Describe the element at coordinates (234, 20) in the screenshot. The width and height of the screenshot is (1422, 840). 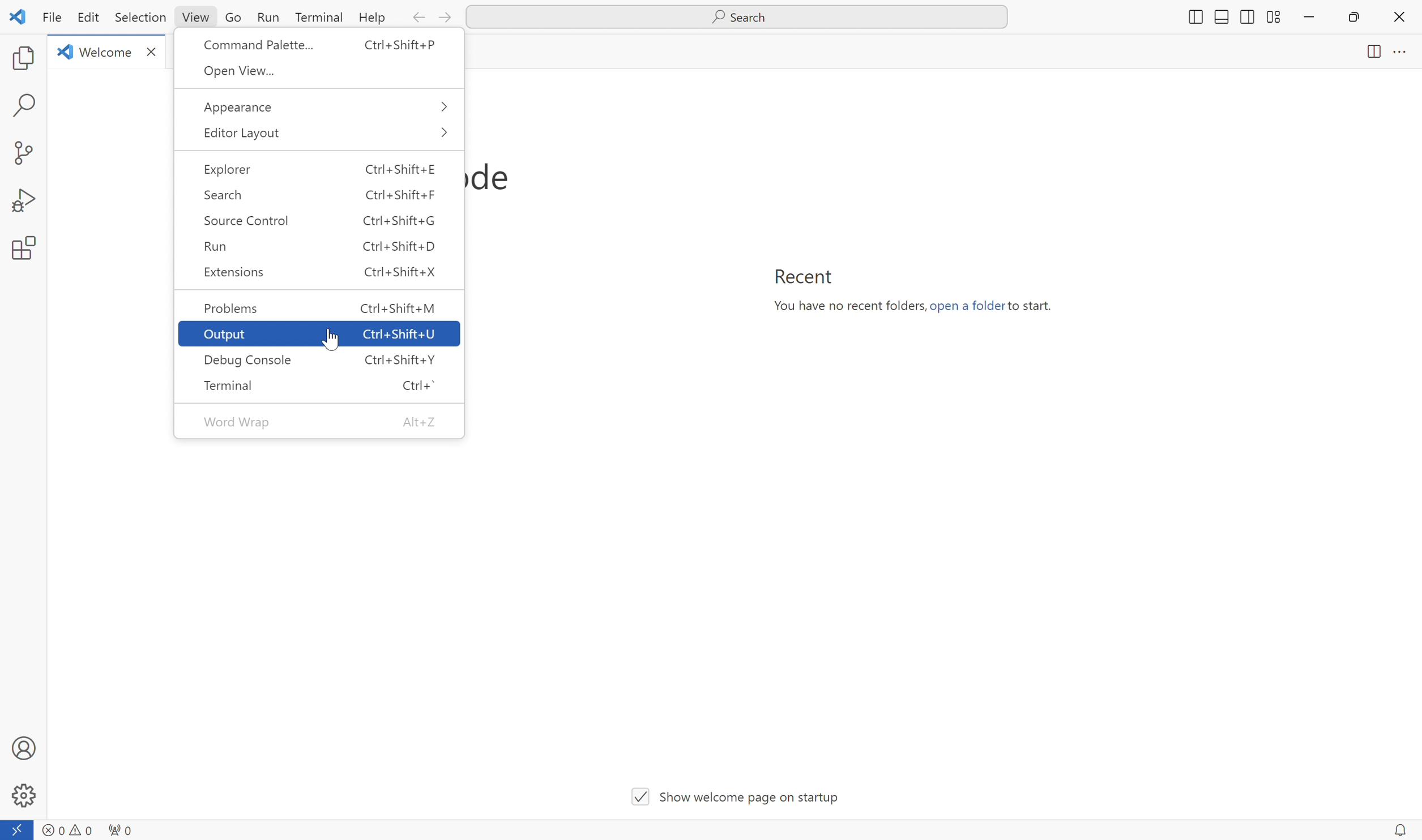
I see `Go` at that location.